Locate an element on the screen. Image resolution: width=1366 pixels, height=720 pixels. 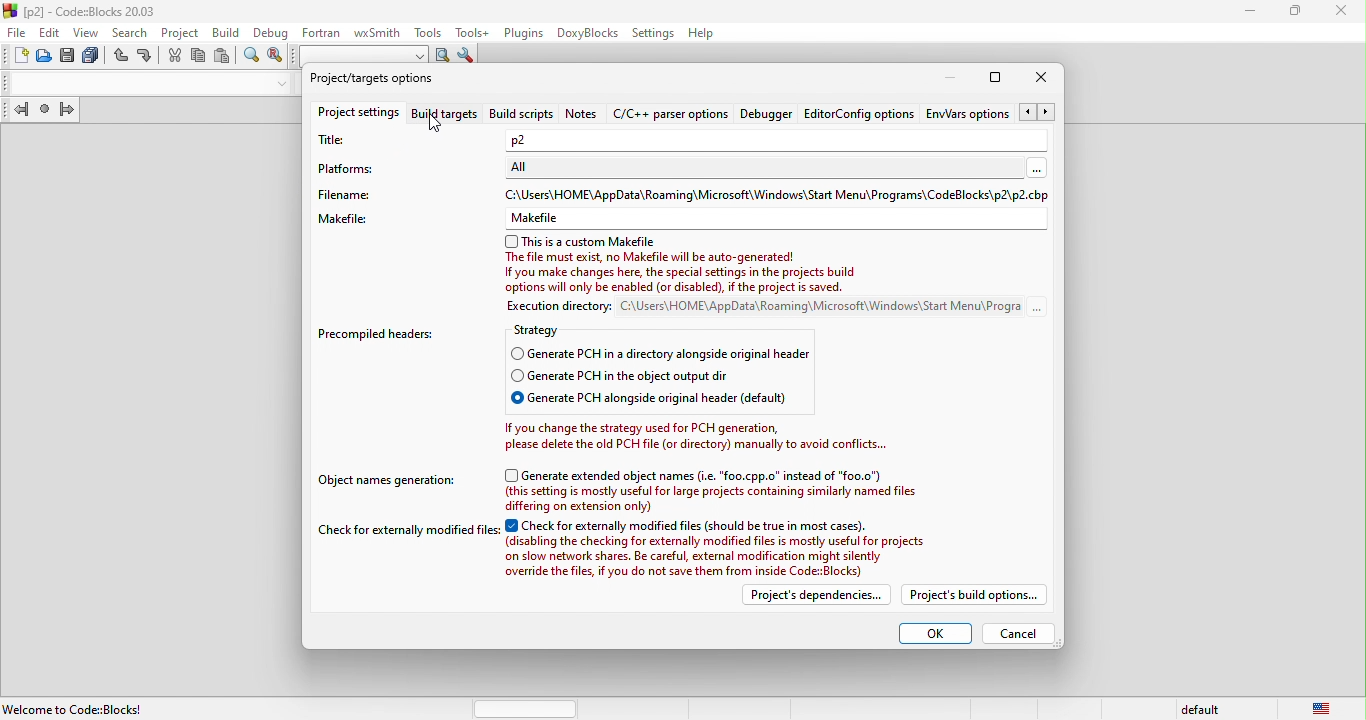
notes is located at coordinates (585, 115).